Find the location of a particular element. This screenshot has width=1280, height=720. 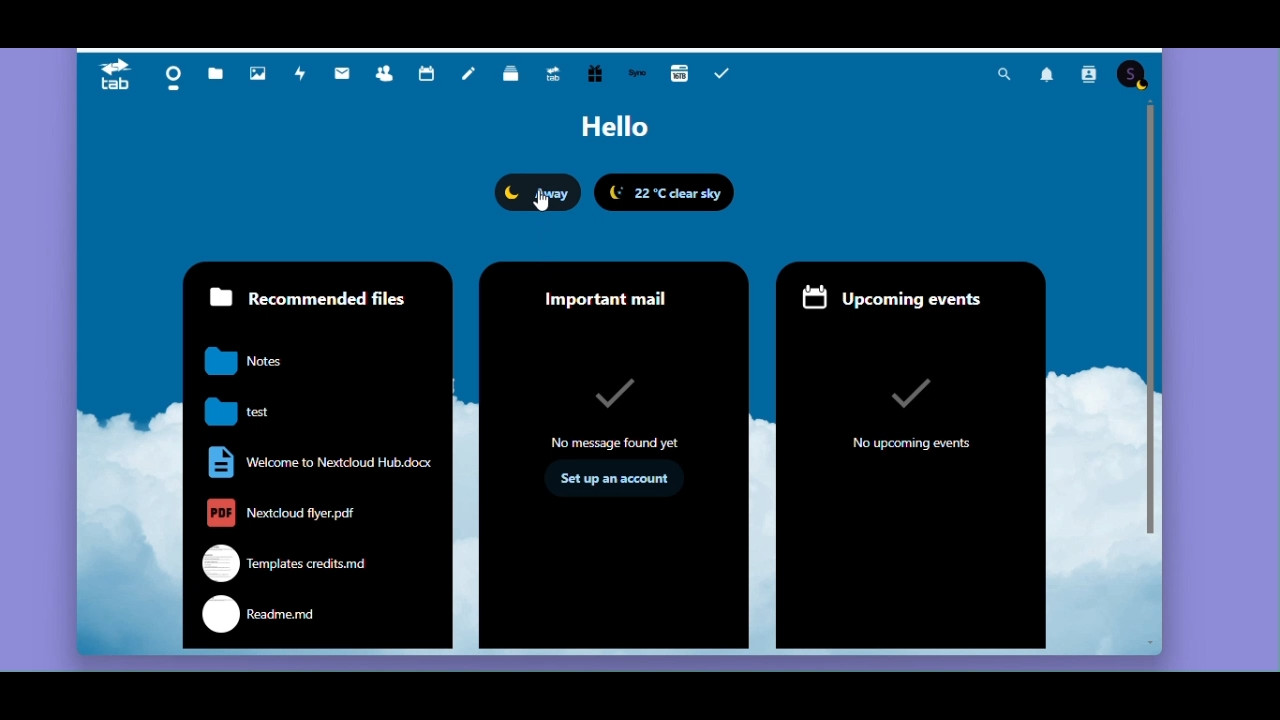

Search is located at coordinates (1003, 75).